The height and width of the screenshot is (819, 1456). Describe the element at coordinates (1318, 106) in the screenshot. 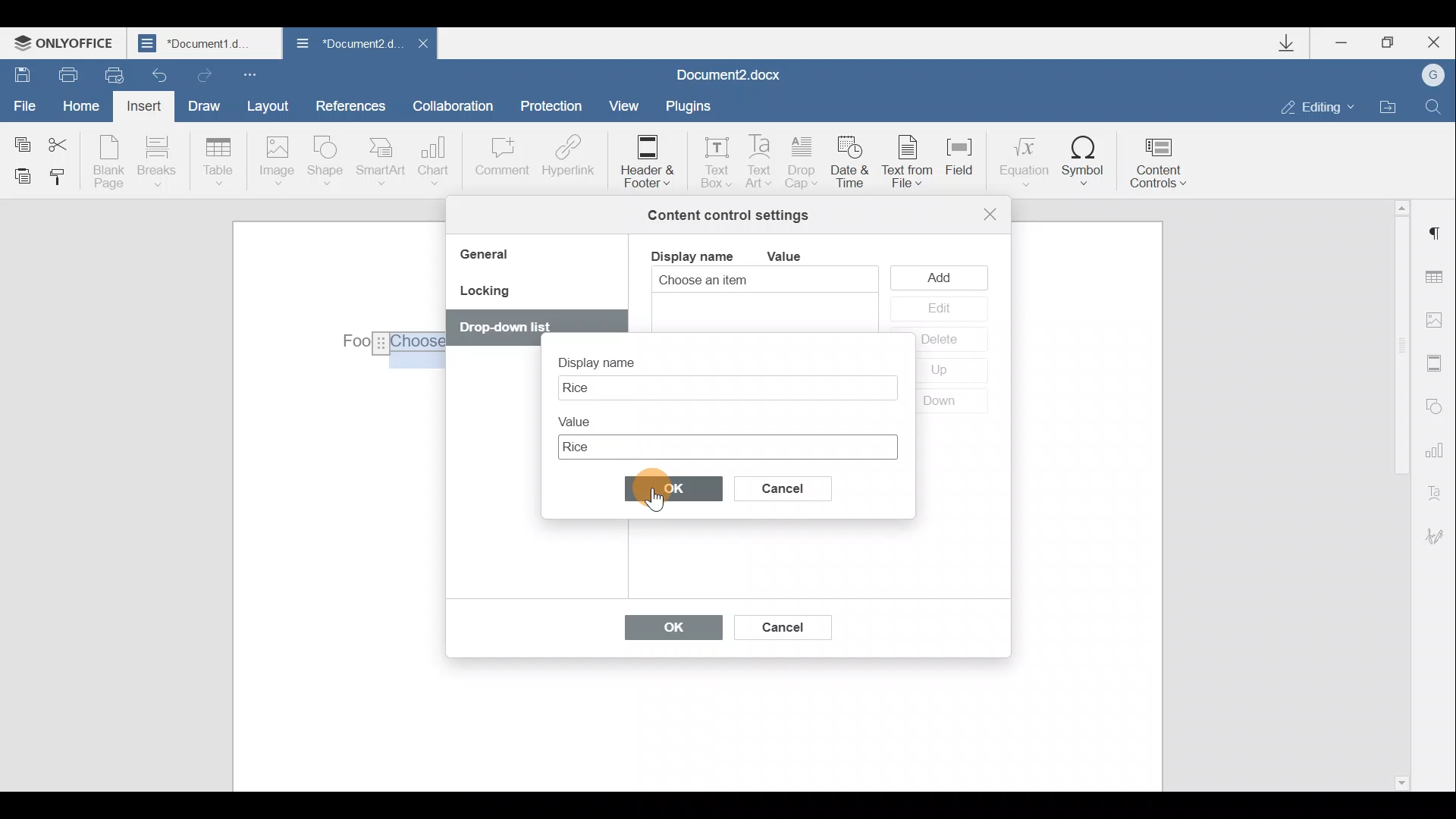

I see `Editing mode` at that location.